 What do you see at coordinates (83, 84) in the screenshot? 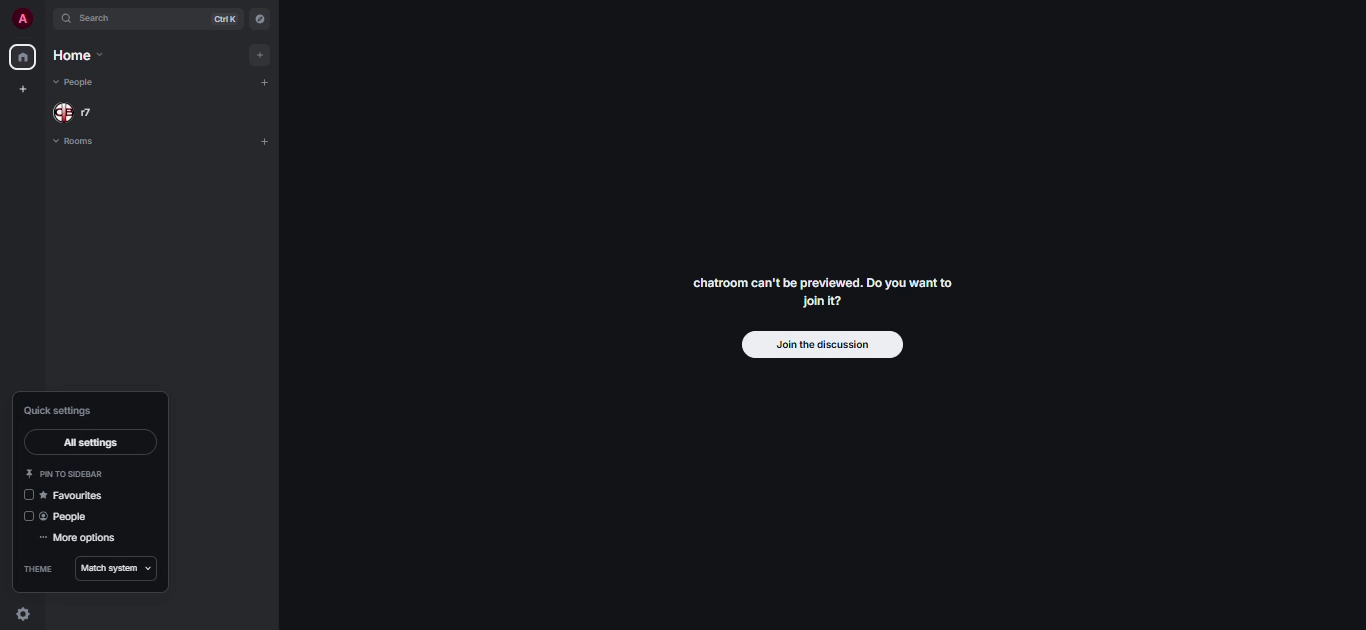
I see `people` at bounding box center [83, 84].